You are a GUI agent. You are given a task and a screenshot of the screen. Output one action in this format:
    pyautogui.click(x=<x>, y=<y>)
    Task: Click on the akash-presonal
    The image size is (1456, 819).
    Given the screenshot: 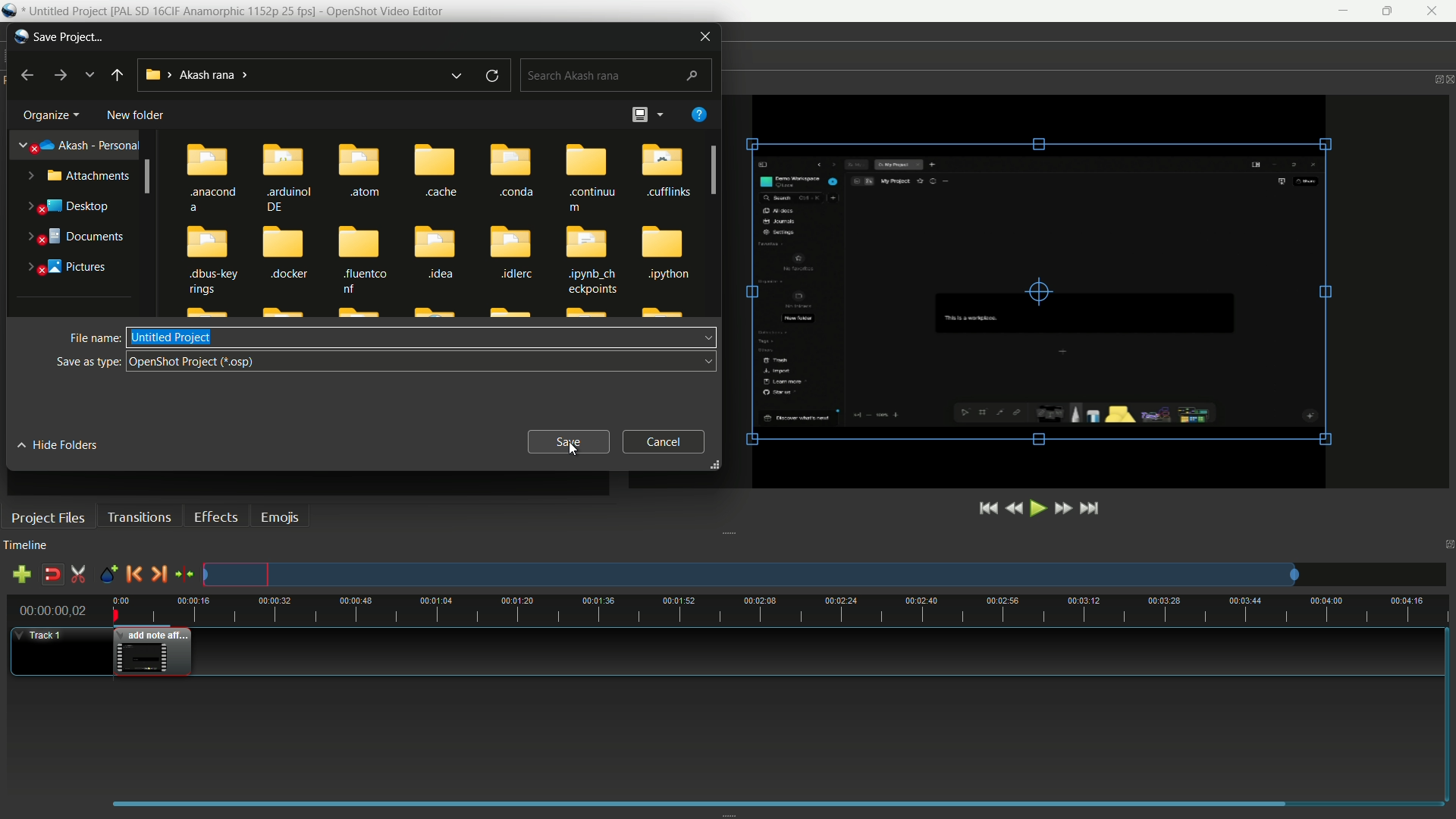 What is the action you would take?
    pyautogui.click(x=79, y=146)
    